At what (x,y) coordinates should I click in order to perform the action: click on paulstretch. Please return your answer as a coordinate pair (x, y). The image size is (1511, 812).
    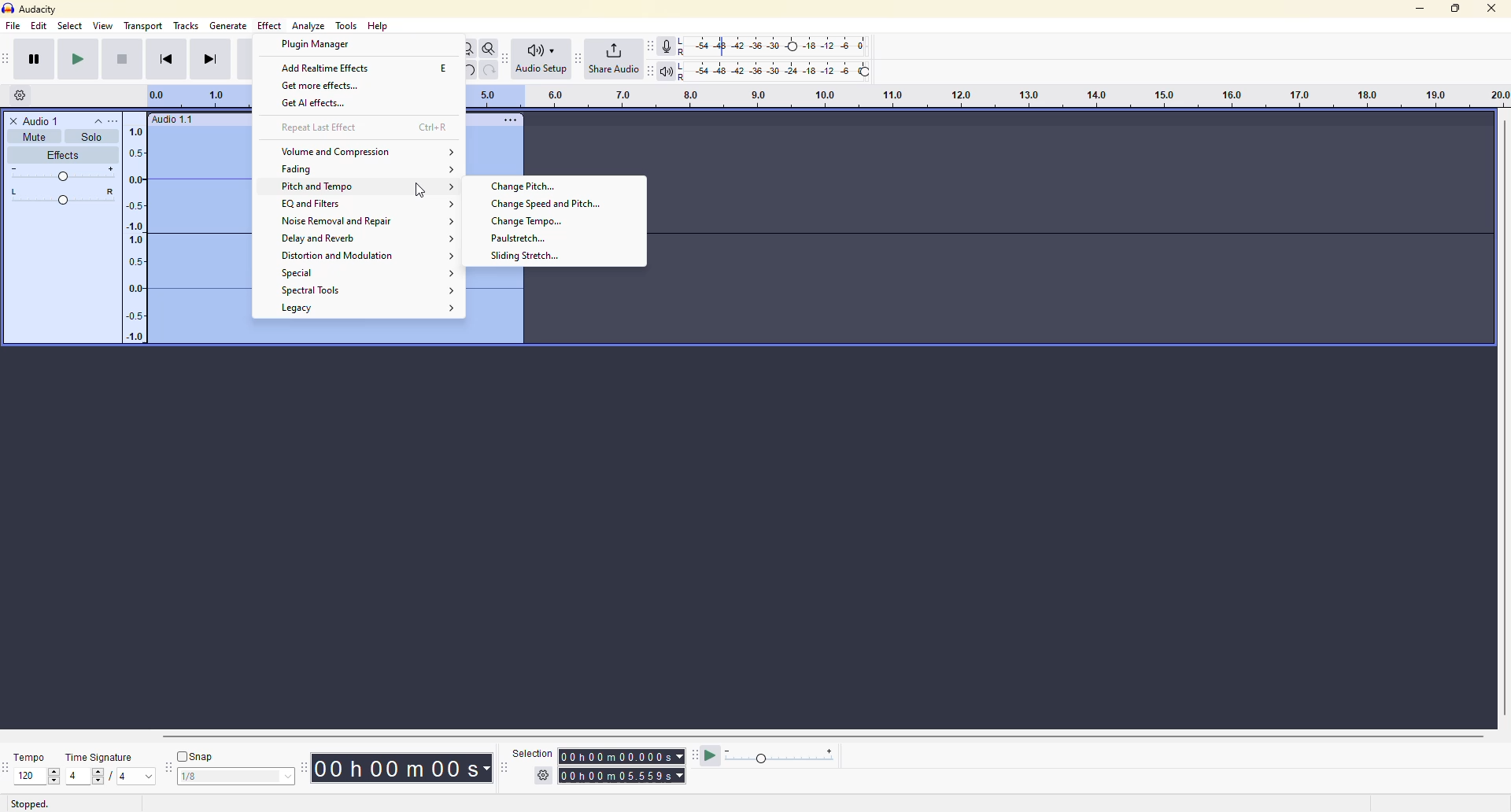
    Looking at the image, I should click on (519, 238).